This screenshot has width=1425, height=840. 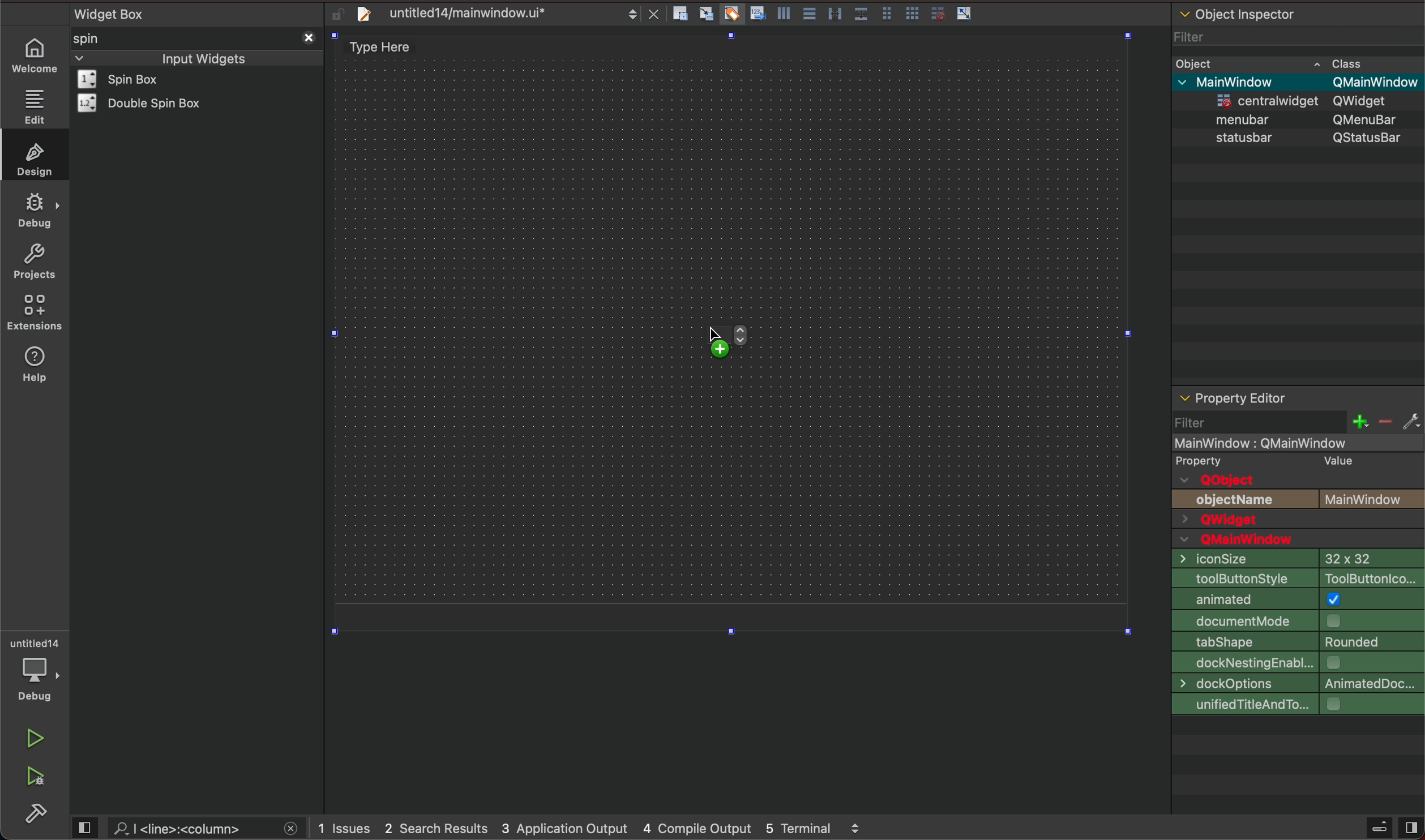 What do you see at coordinates (191, 828) in the screenshot?
I see `search` at bounding box center [191, 828].